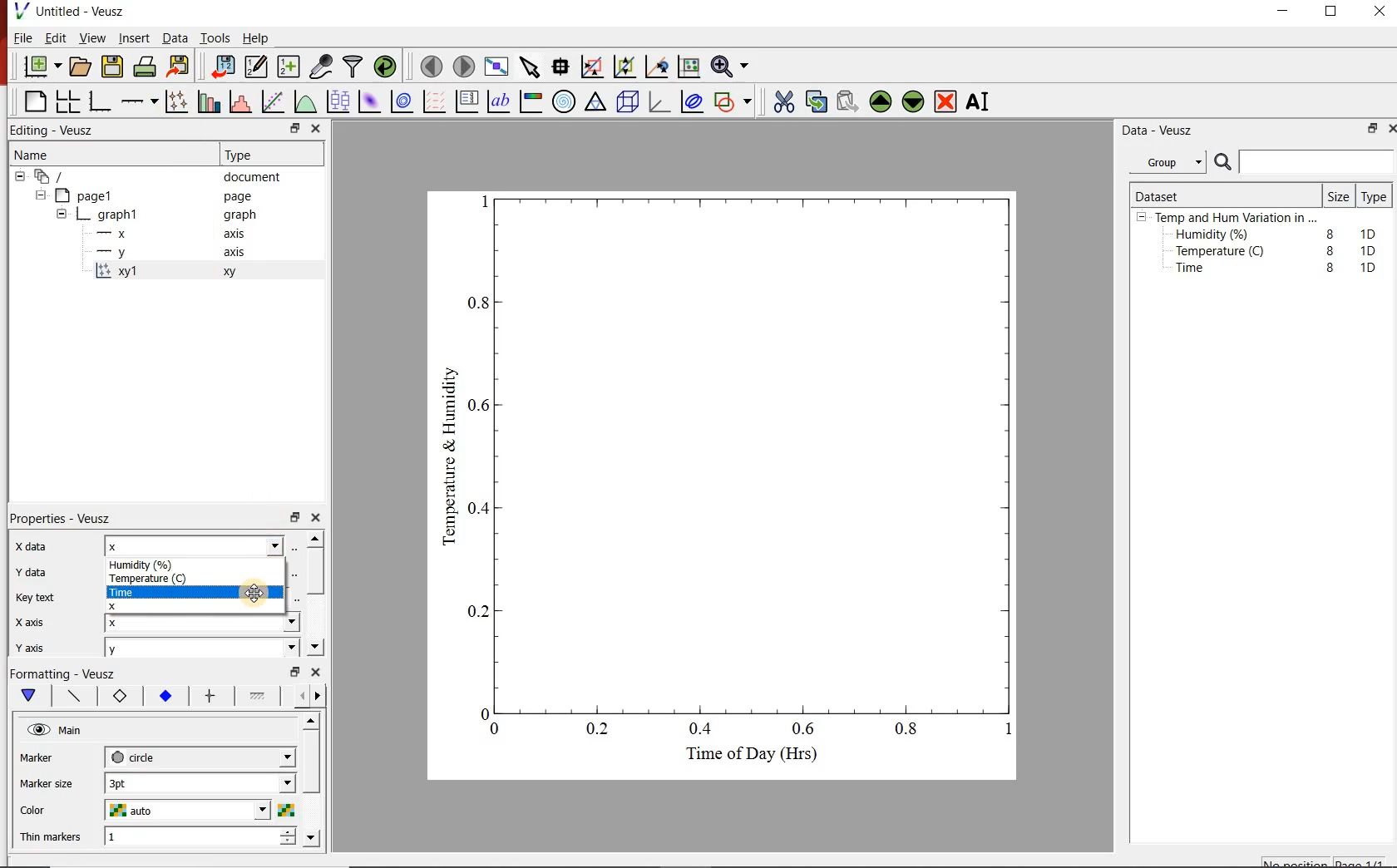 This screenshot has height=868, width=1397. Describe the element at coordinates (42, 542) in the screenshot. I see `x data` at that location.